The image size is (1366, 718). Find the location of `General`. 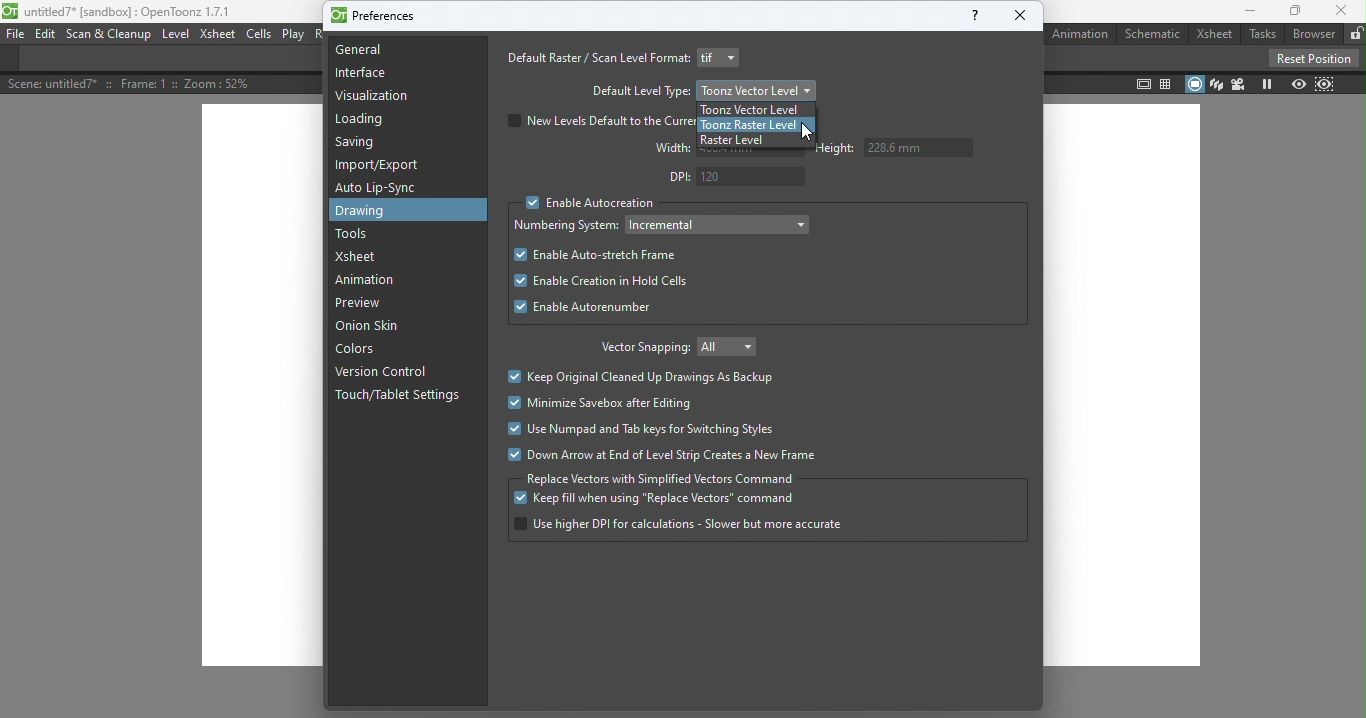

General is located at coordinates (368, 52).